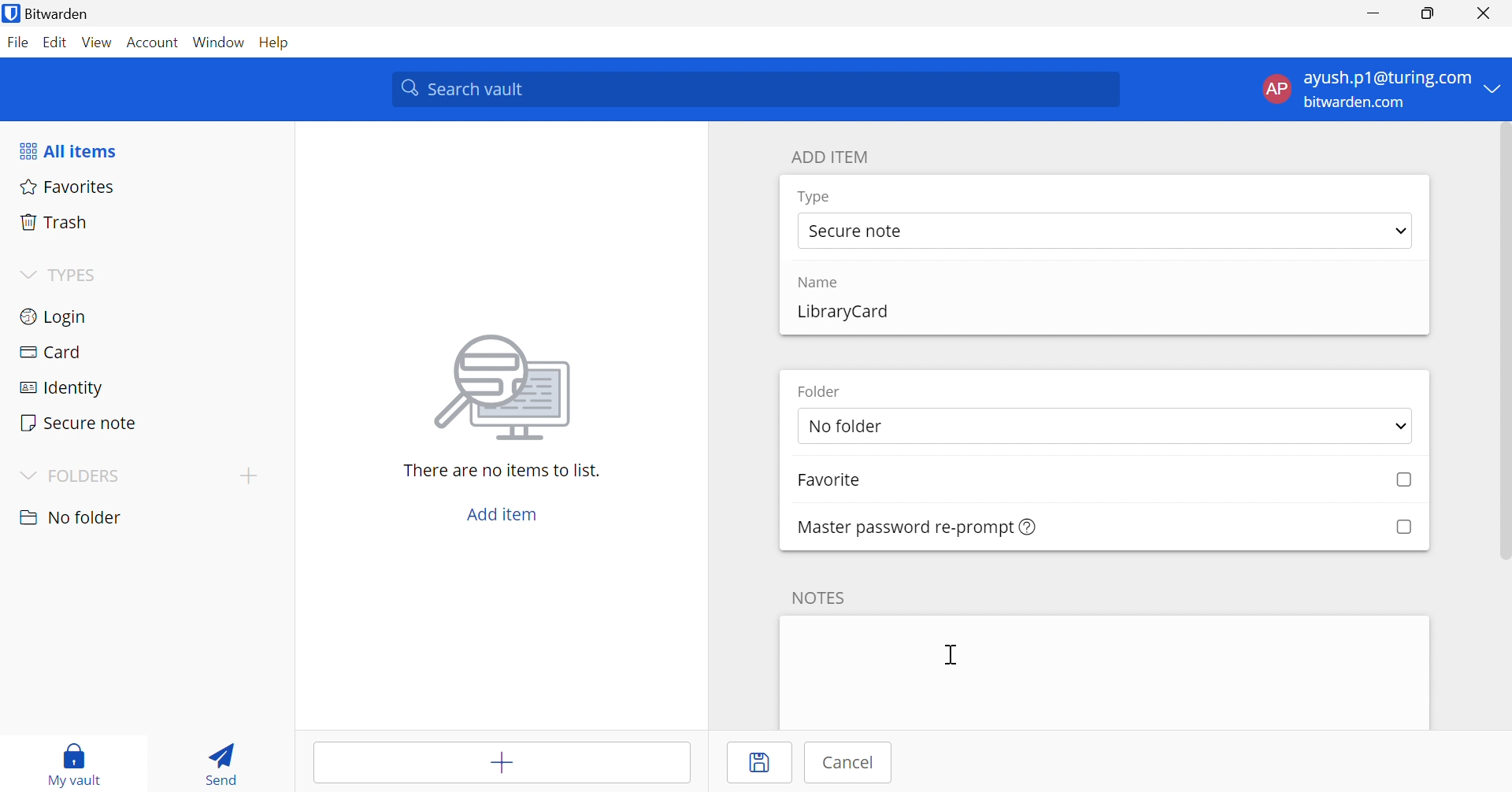  Describe the element at coordinates (220, 42) in the screenshot. I see `Window` at that location.